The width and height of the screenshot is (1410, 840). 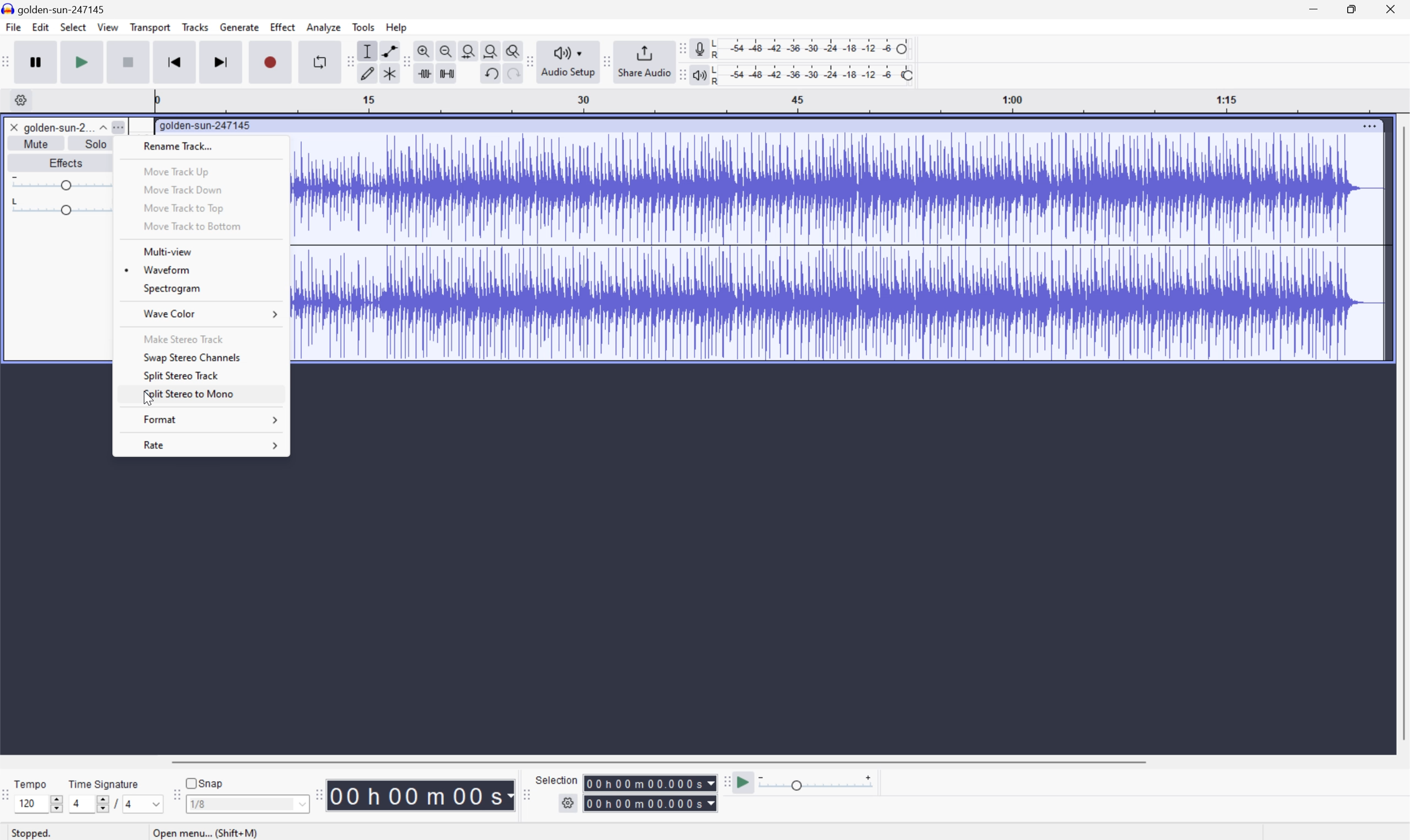 I want to click on Redo, so click(x=514, y=74).